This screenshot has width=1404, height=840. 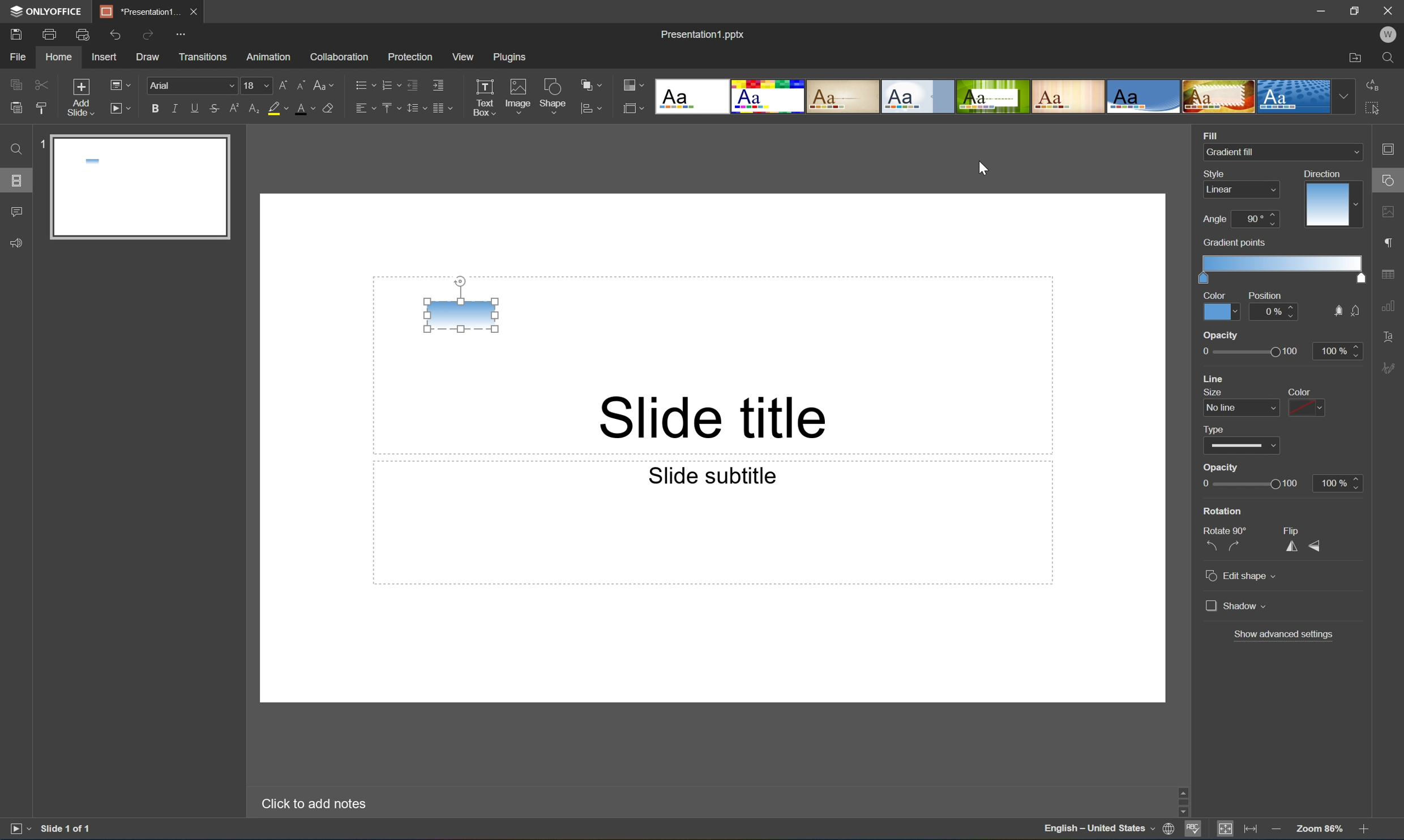 I want to click on Opacity, so click(x=1222, y=468).